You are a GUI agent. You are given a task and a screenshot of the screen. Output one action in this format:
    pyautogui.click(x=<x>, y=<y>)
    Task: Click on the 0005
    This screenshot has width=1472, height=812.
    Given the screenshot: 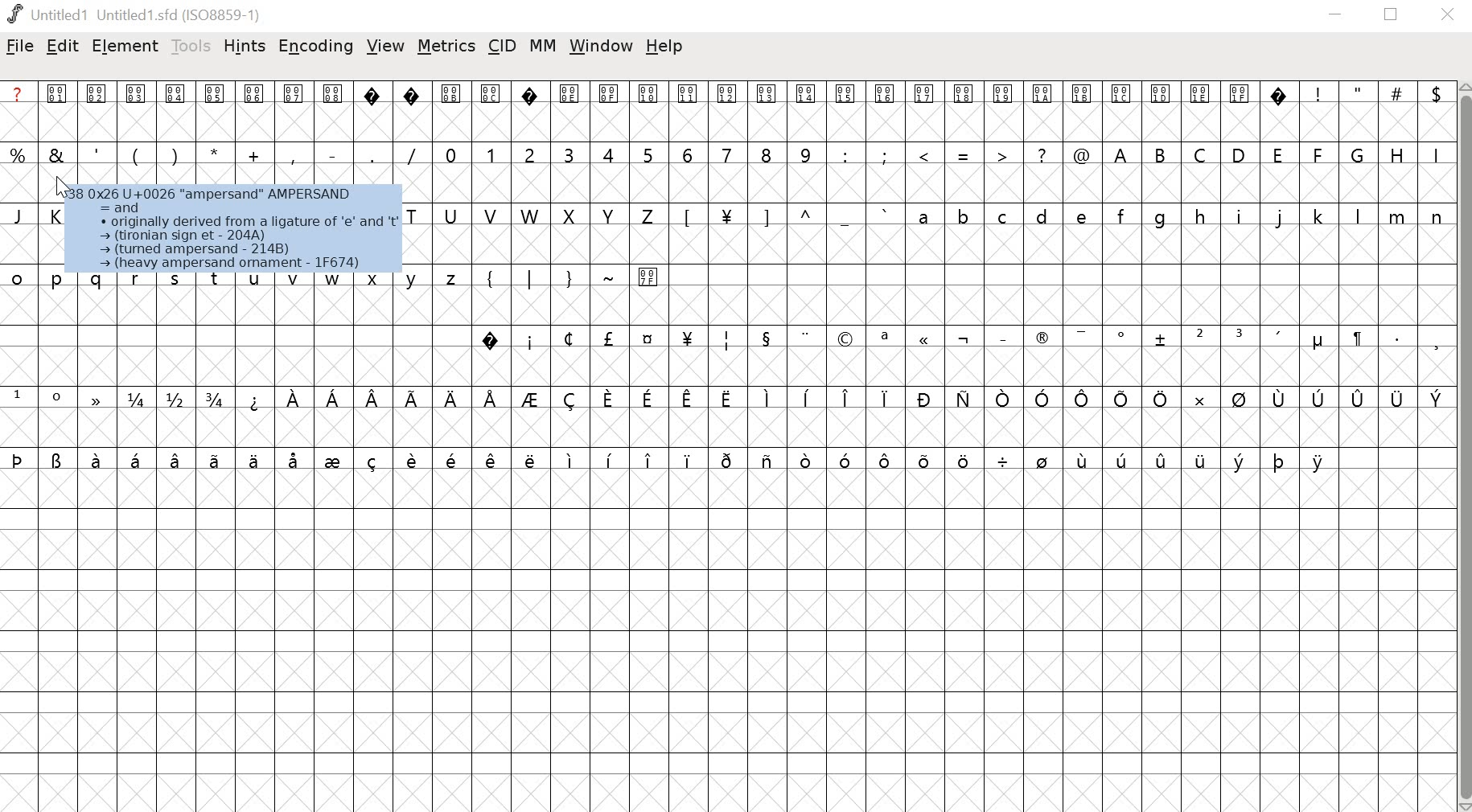 What is the action you would take?
    pyautogui.click(x=214, y=112)
    